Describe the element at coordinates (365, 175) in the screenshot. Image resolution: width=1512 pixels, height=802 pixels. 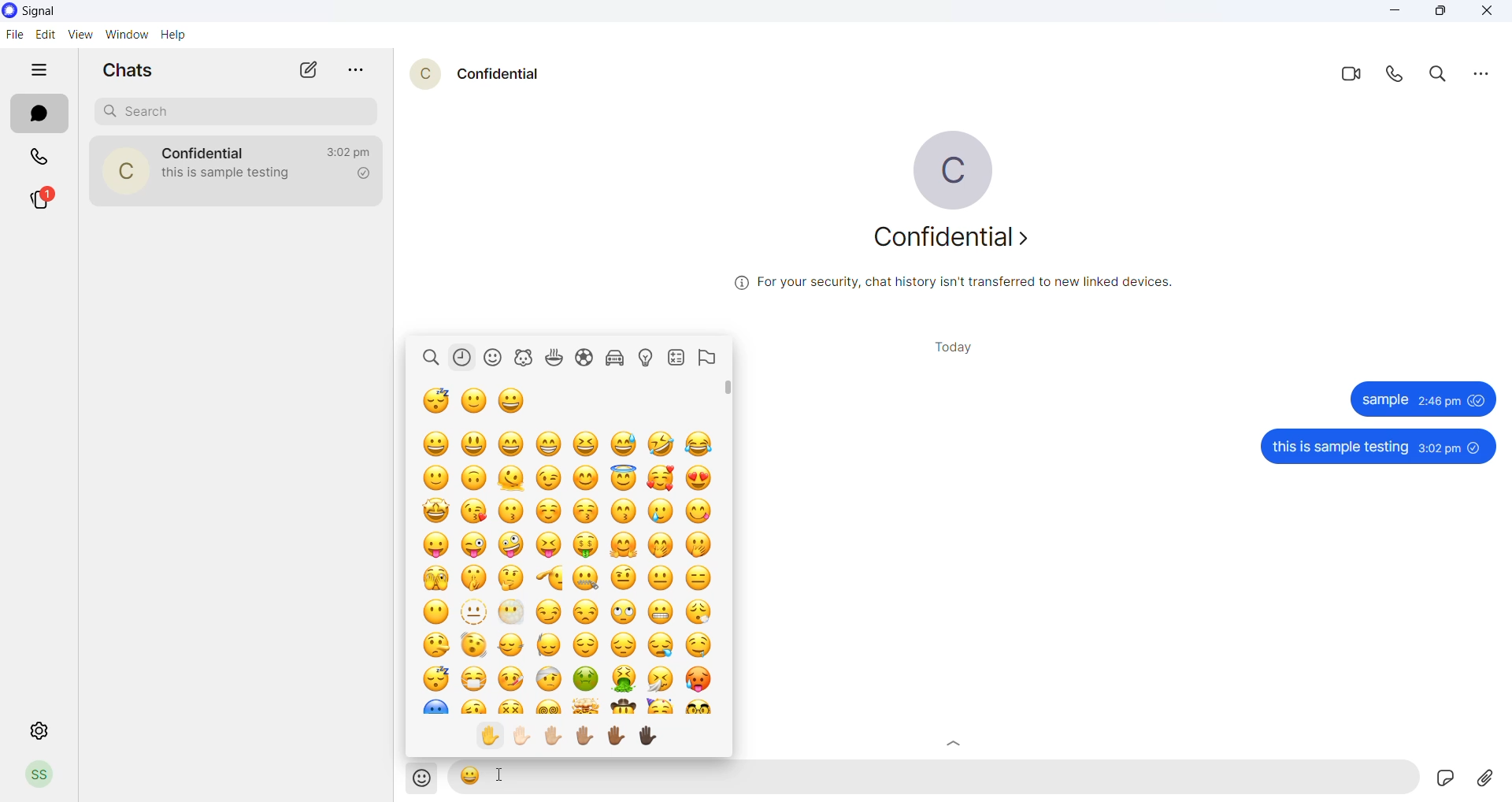
I see `read recipient` at that location.